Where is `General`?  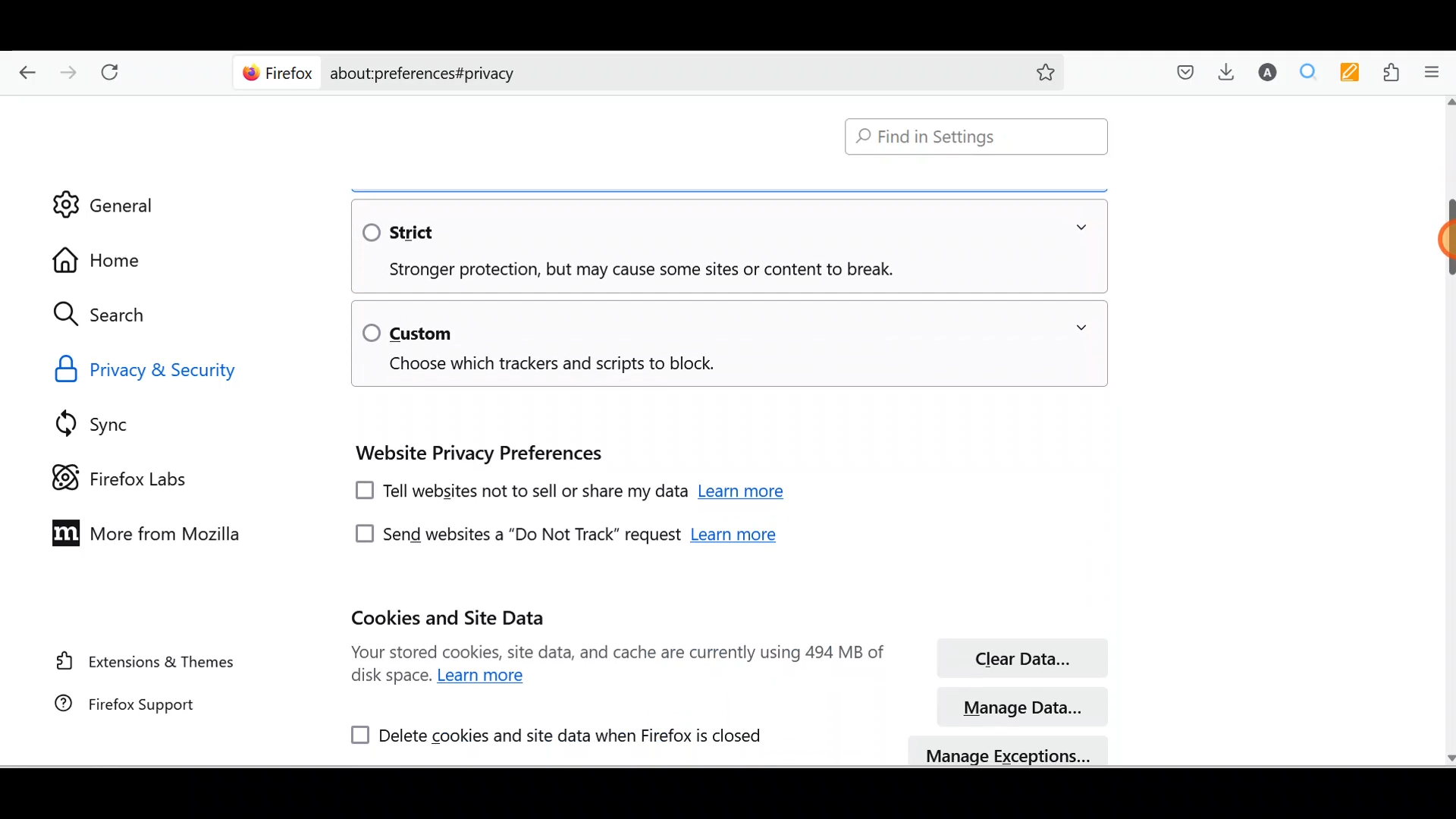 General is located at coordinates (124, 201).